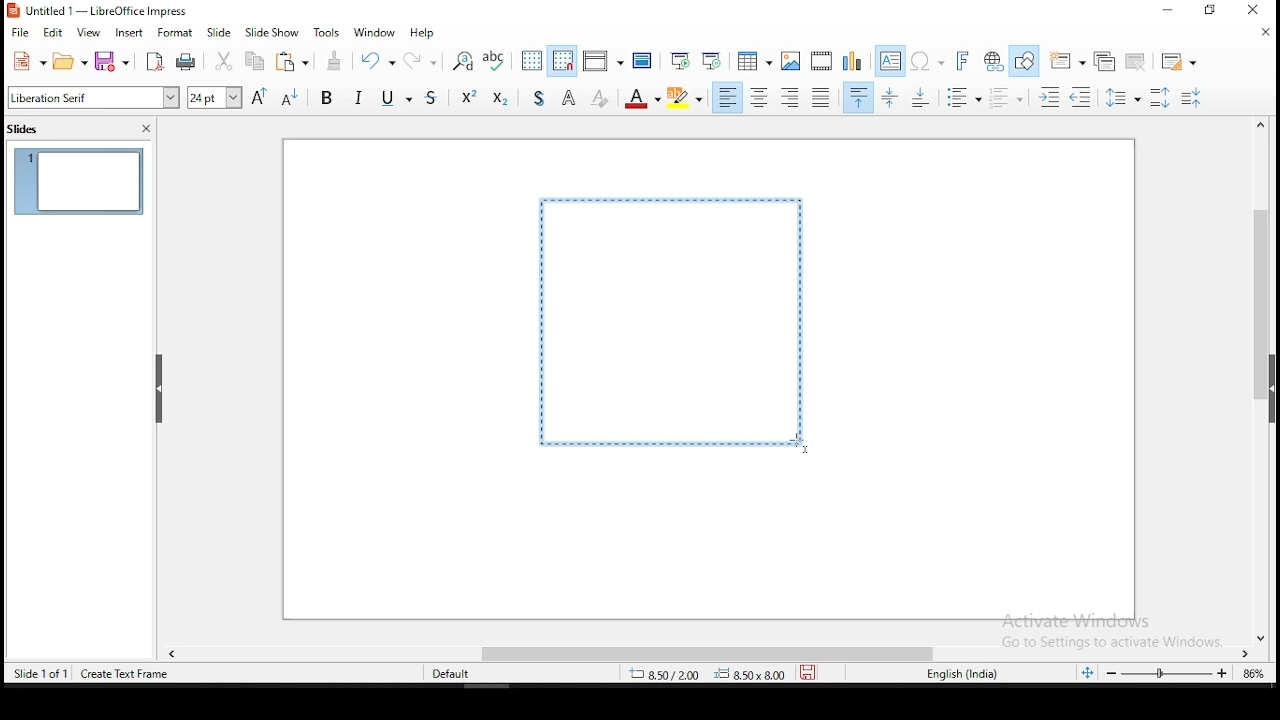 The width and height of the screenshot is (1280, 720). Describe the element at coordinates (1261, 381) in the screenshot. I see `scroll bar` at that location.